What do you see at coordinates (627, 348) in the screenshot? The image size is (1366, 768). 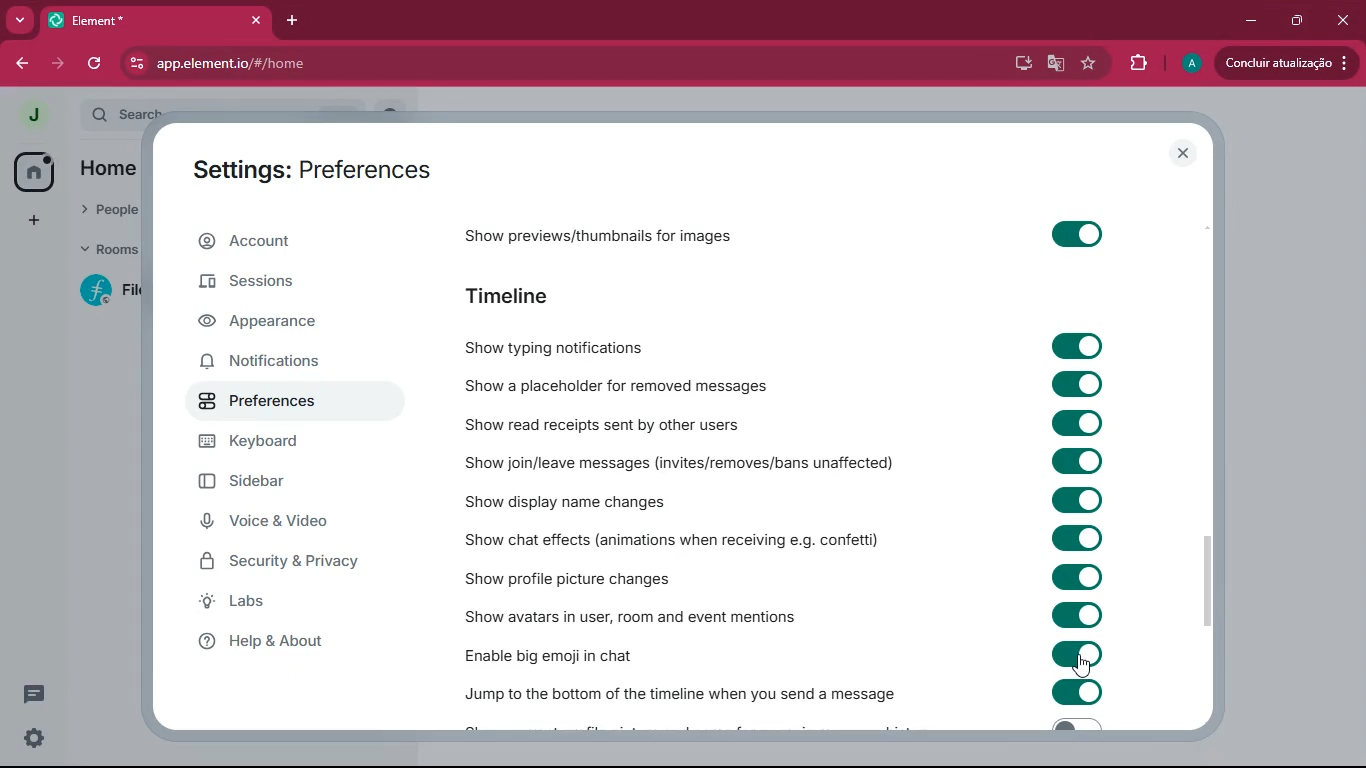 I see `show typing notifications` at bounding box center [627, 348].